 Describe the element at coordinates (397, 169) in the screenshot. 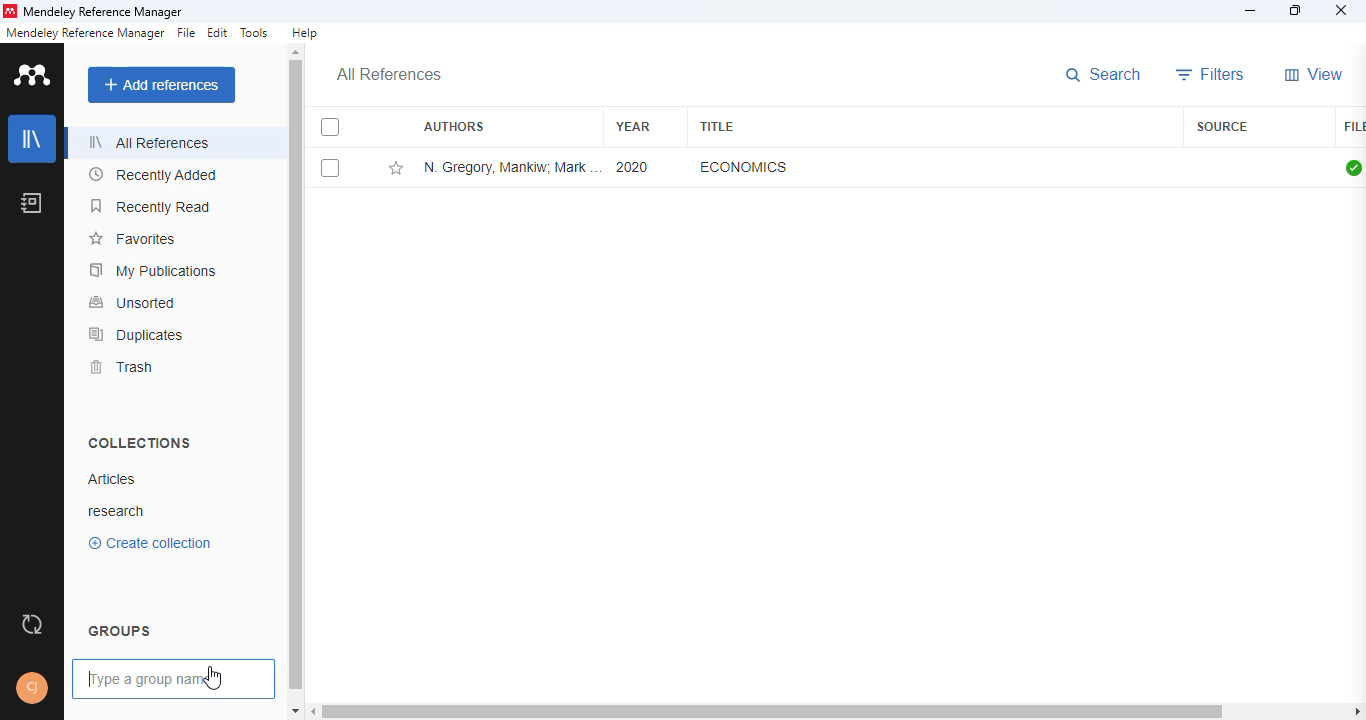

I see `add this reference to favorites` at that location.